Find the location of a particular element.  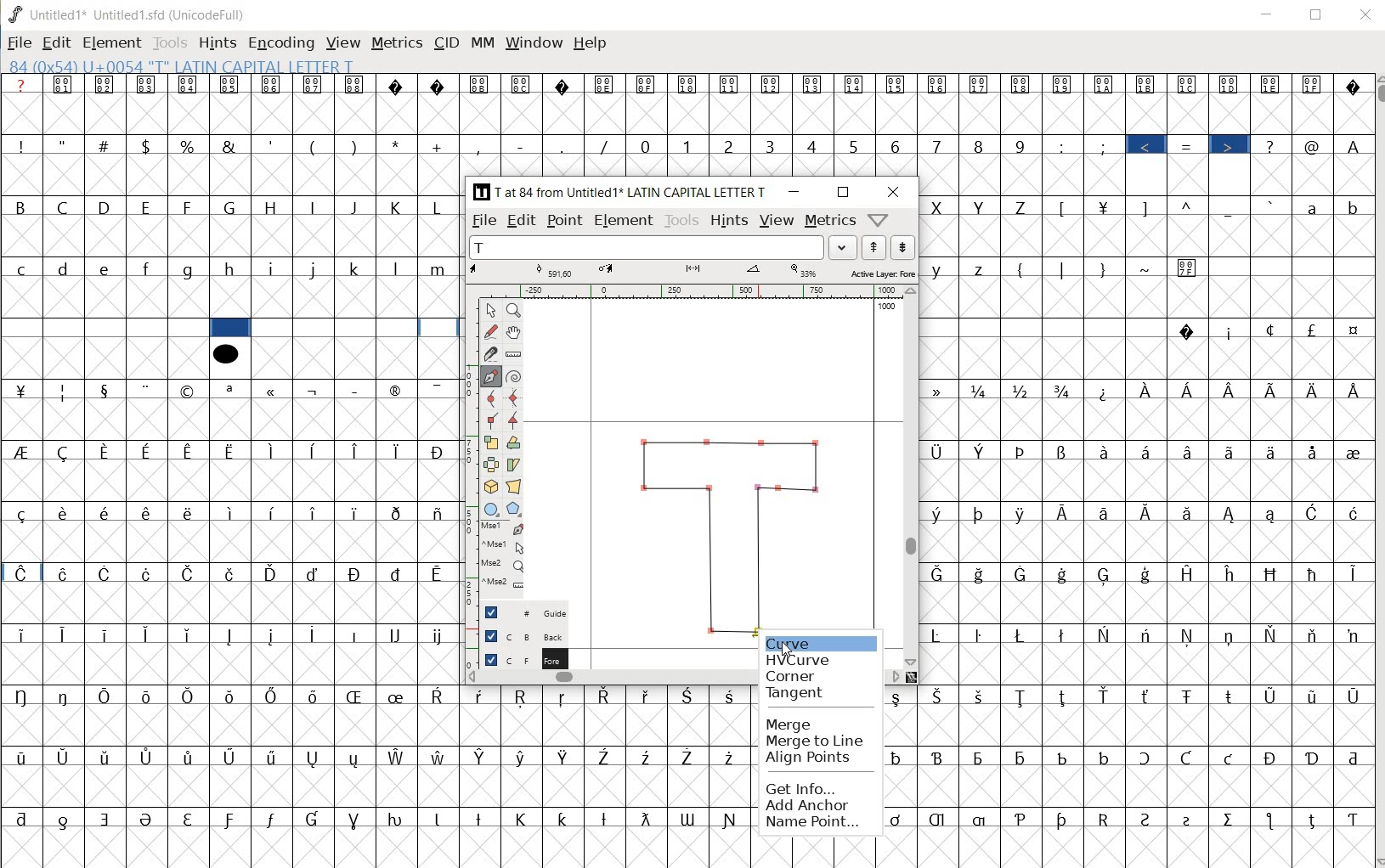

empty spaces is located at coordinates (1286, 268).